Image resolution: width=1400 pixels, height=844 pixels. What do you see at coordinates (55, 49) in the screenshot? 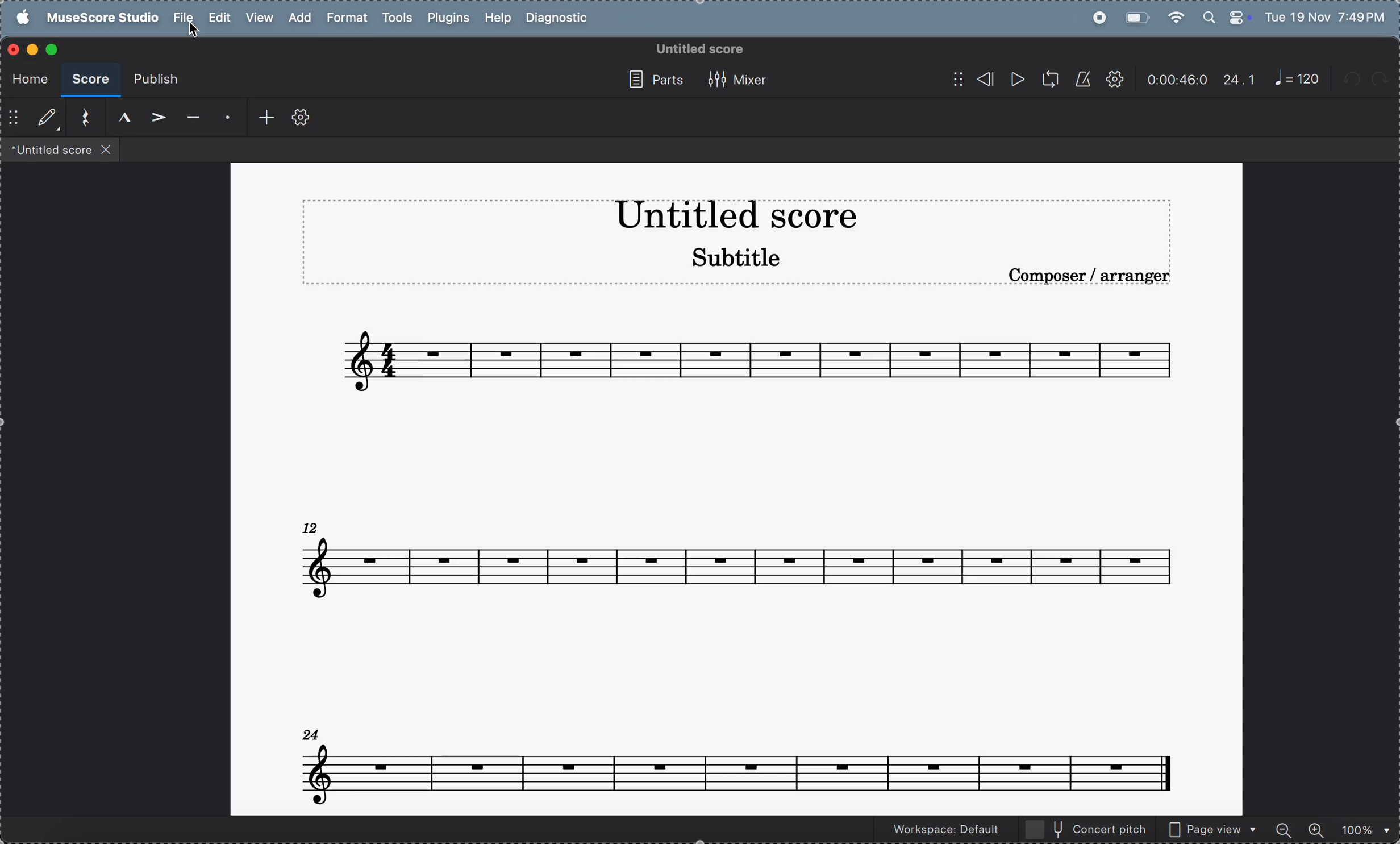
I see `maximize` at bounding box center [55, 49].